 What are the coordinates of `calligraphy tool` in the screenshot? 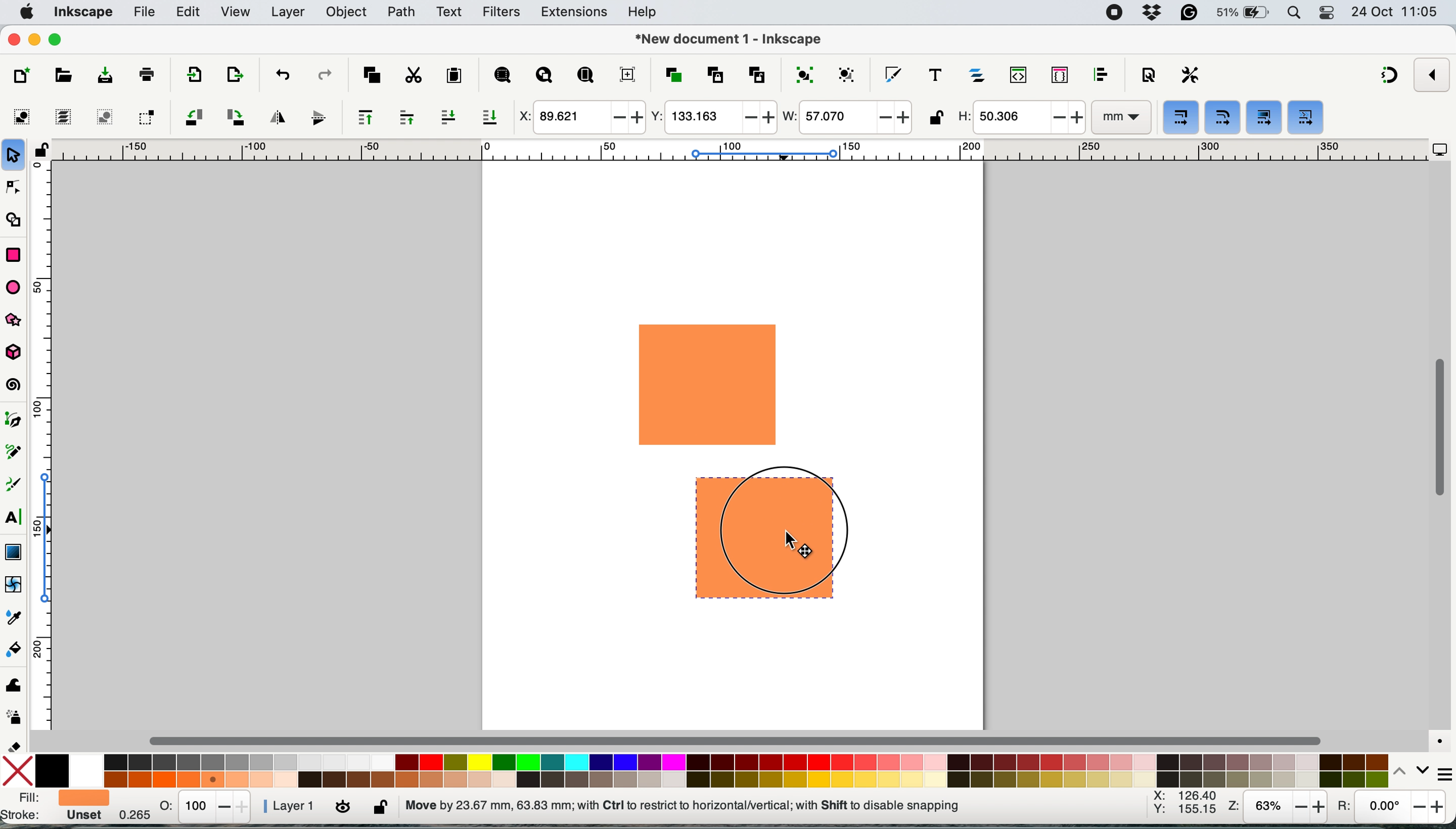 It's located at (15, 485).